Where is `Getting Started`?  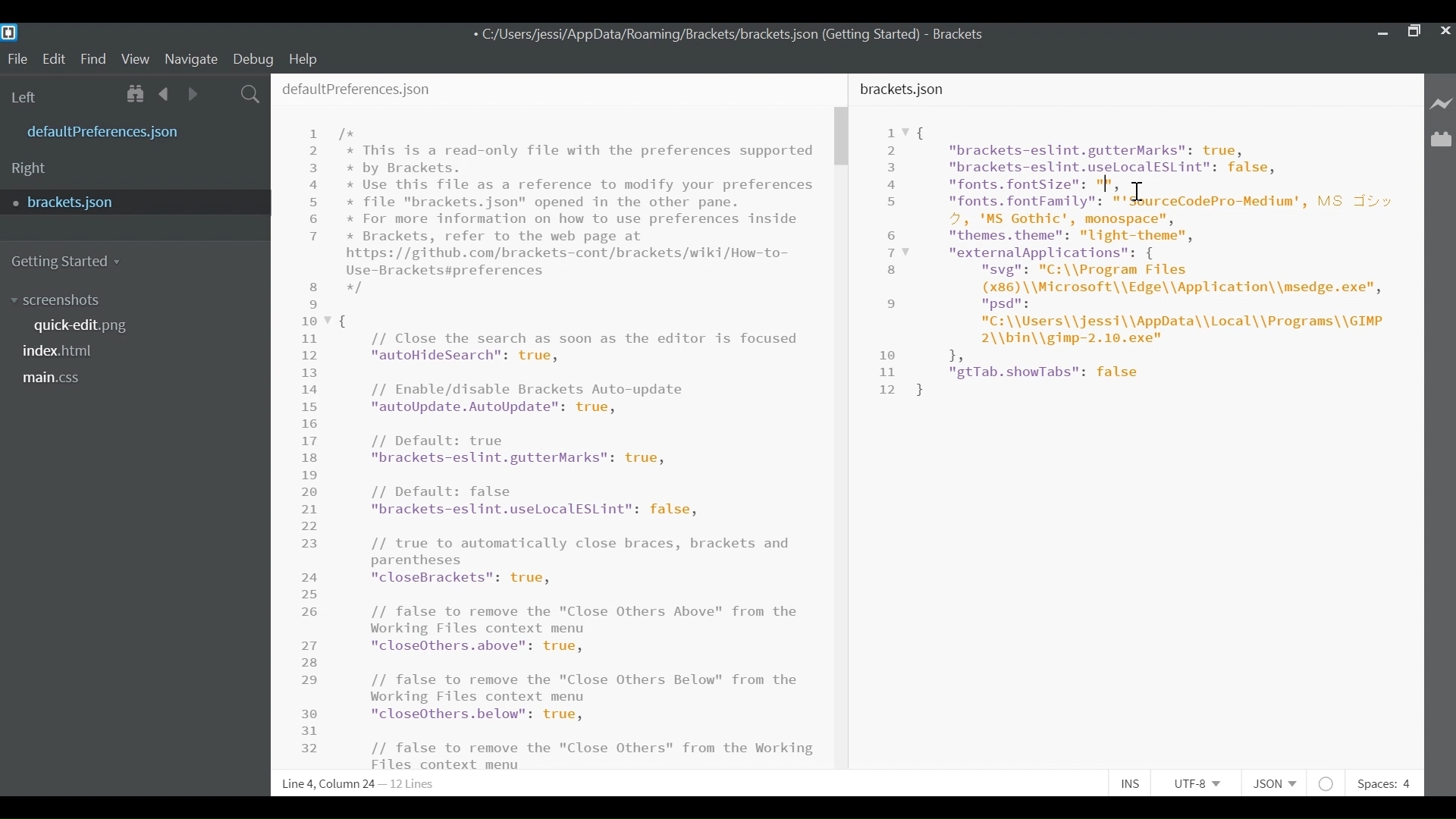
Getting Started is located at coordinates (69, 259).